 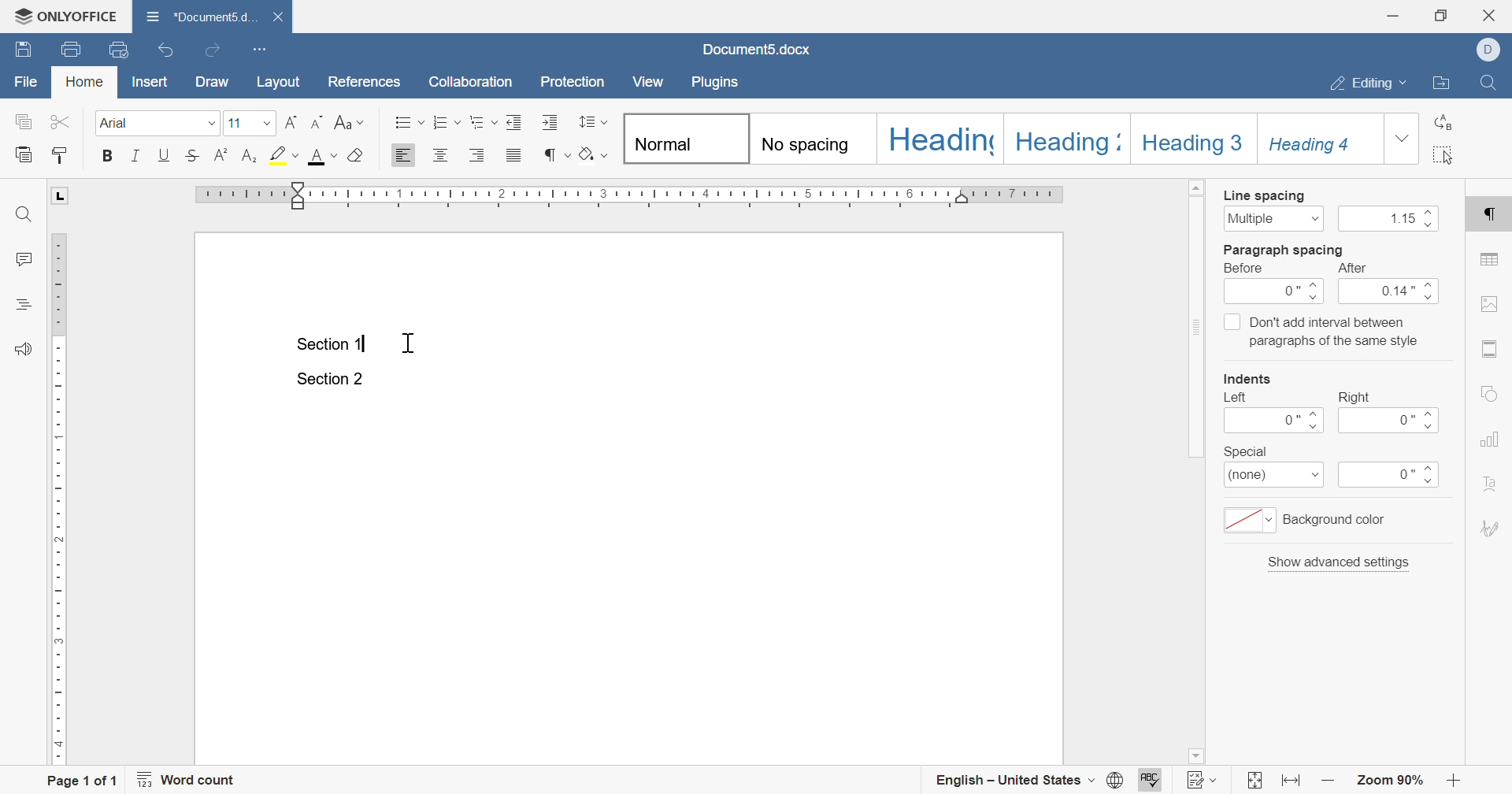 What do you see at coordinates (440, 154) in the screenshot?
I see `Align center` at bounding box center [440, 154].